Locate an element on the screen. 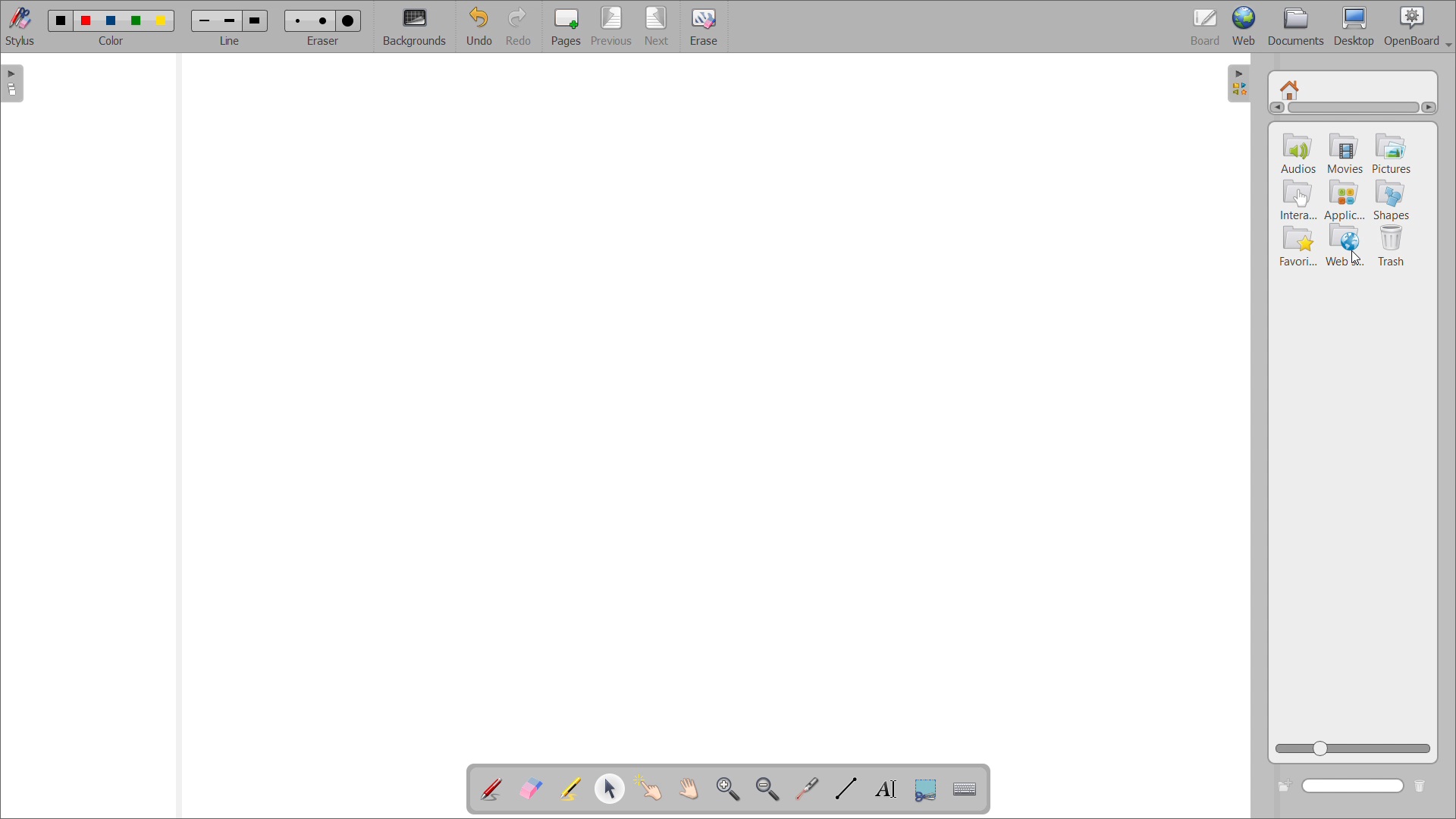 The width and height of the screenshot is (1456, 819). undo is located at coordinates (479, 27).